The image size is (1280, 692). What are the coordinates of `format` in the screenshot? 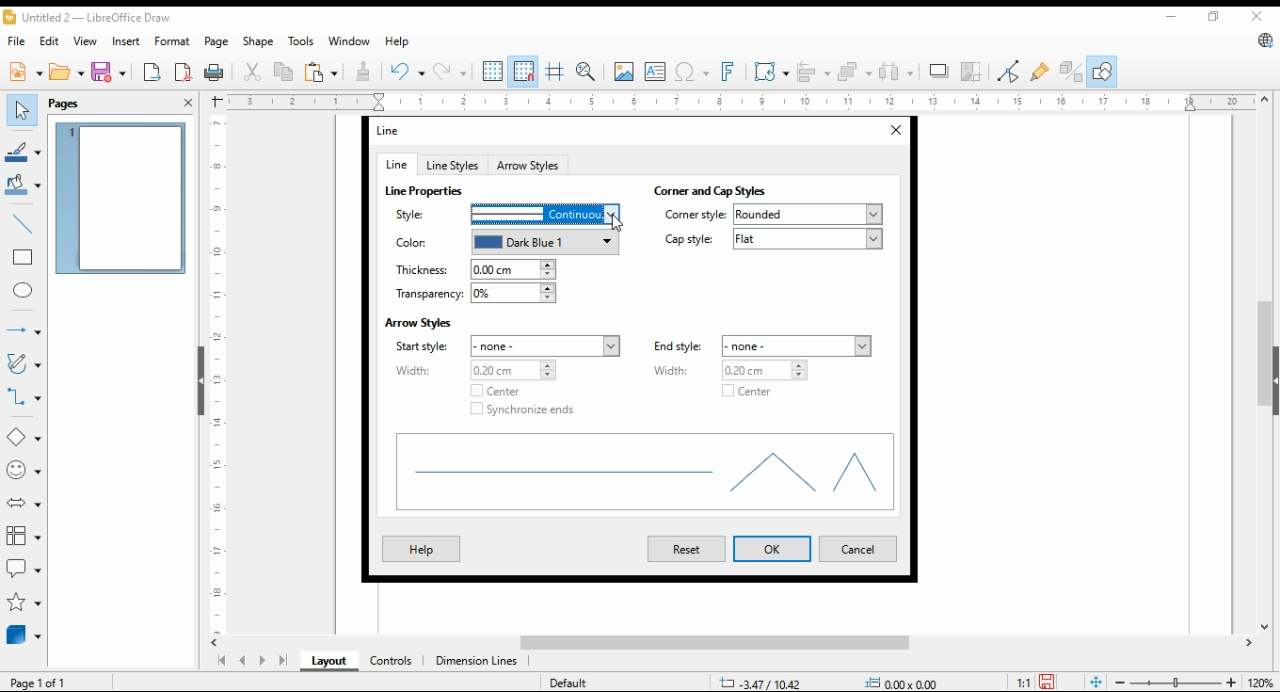 It's located at (174, 43).